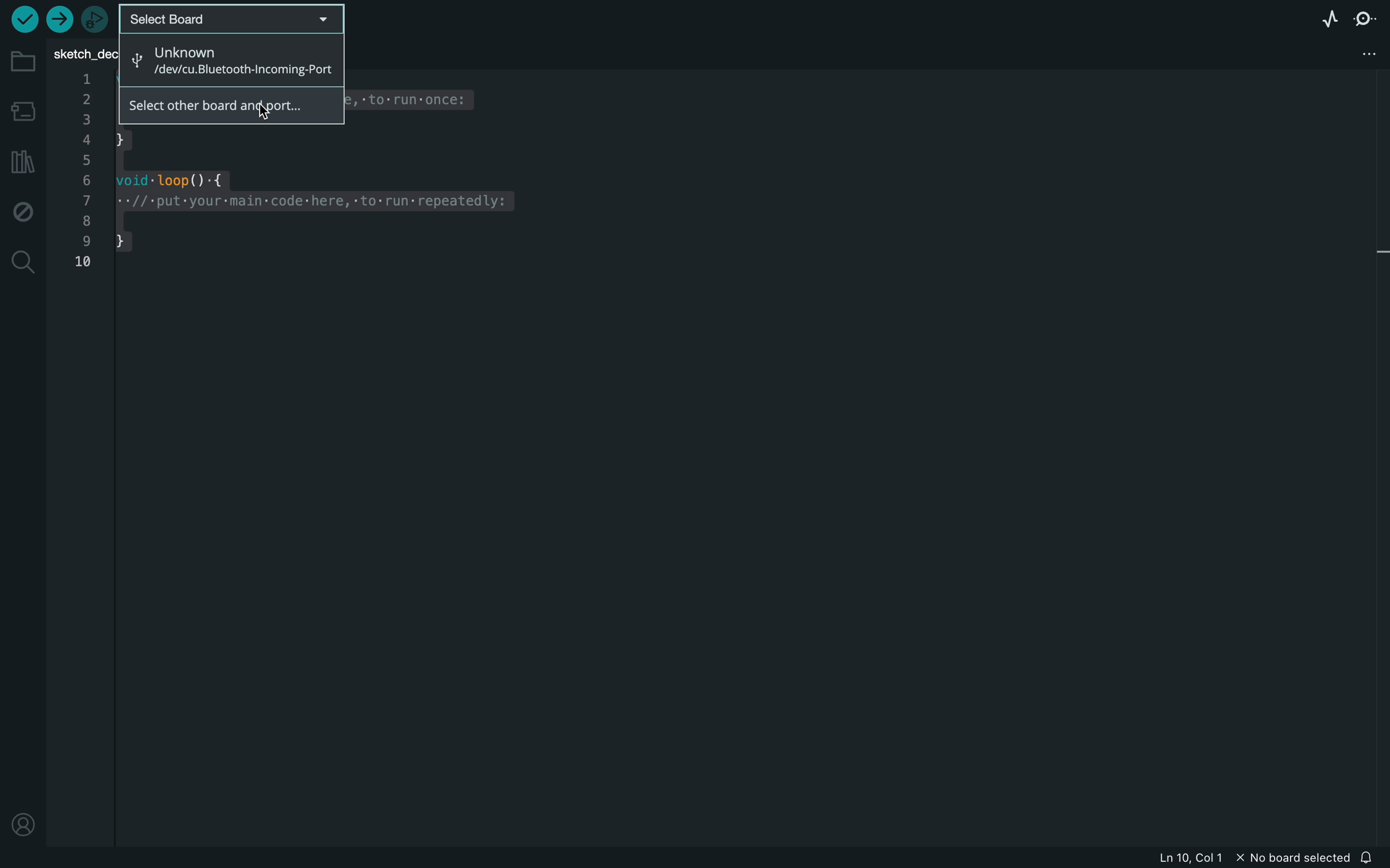 The width and height of the screenshot is (1390, 868). Describe the element at coordinates (304, 216) in the screenshot. I see `code` at that location.